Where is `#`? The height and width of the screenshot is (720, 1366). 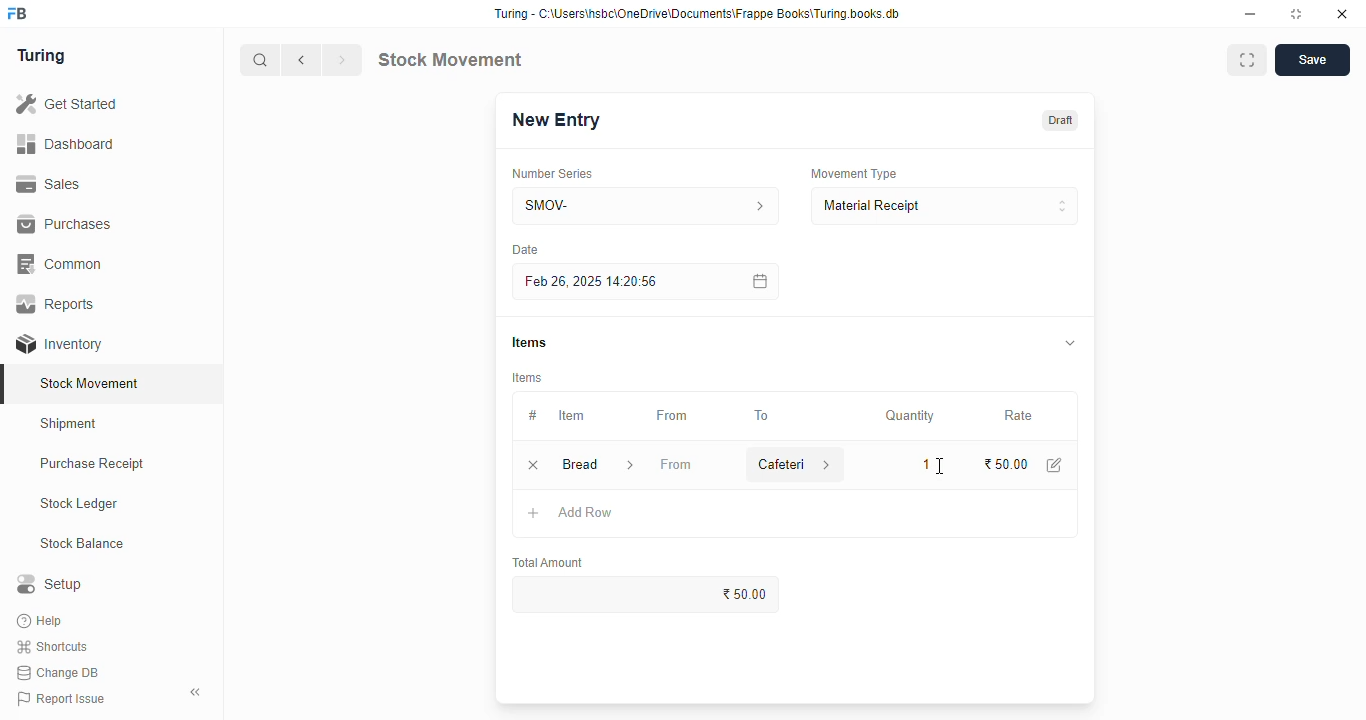
# is located at coordinates (533, 416).